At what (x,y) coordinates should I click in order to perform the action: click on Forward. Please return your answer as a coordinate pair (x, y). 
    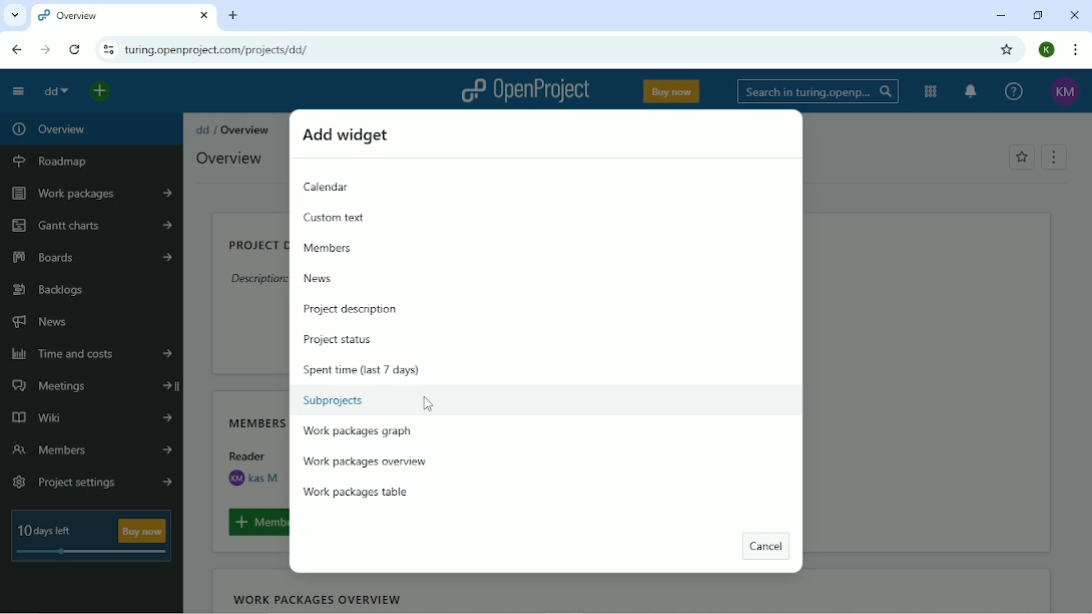
    Looking at the image, I should click on (46, 50).